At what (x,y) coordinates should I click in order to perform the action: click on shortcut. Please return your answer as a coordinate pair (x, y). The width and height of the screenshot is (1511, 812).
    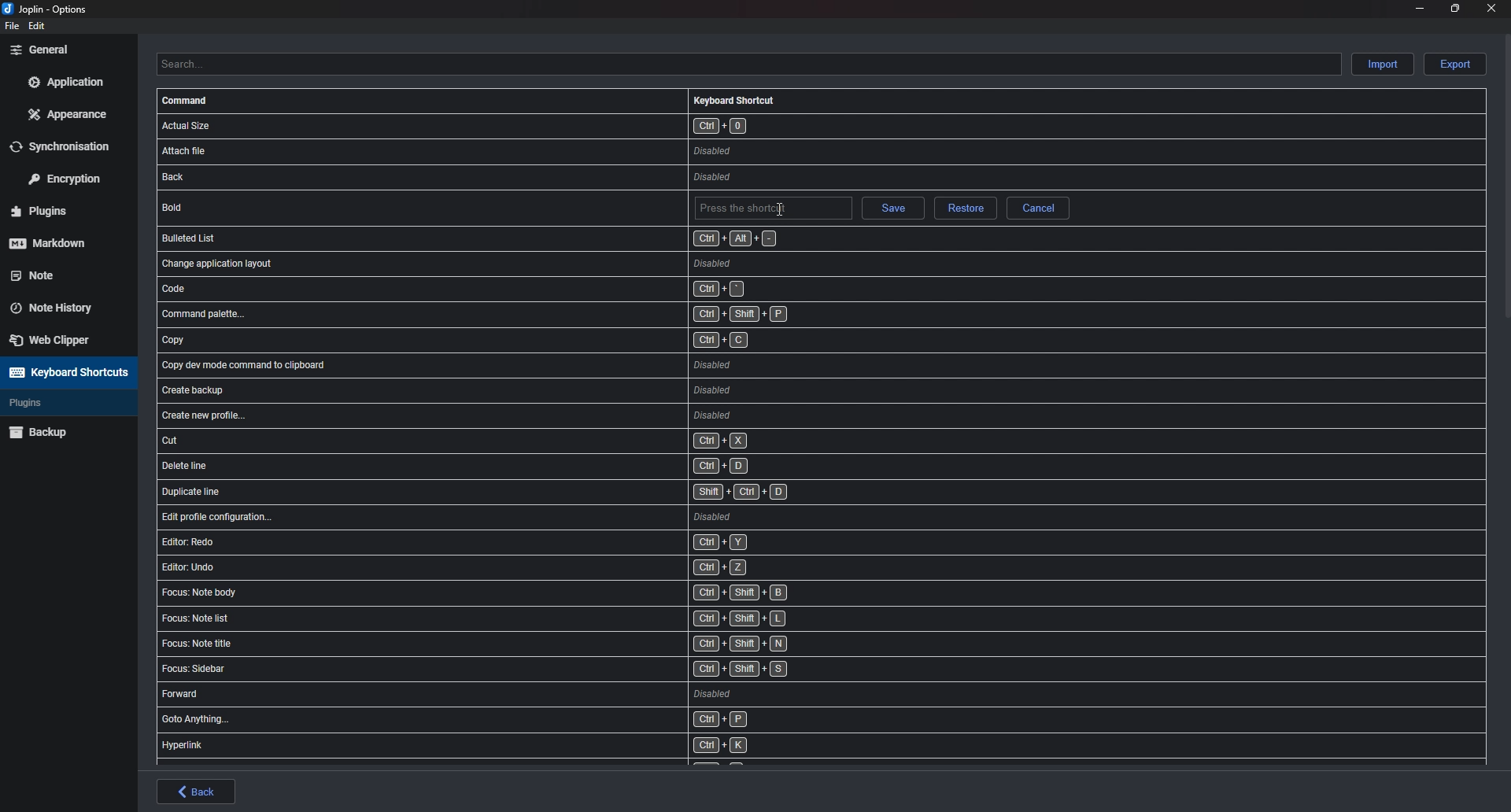
    Looking at the image, I should click on (534, 365).